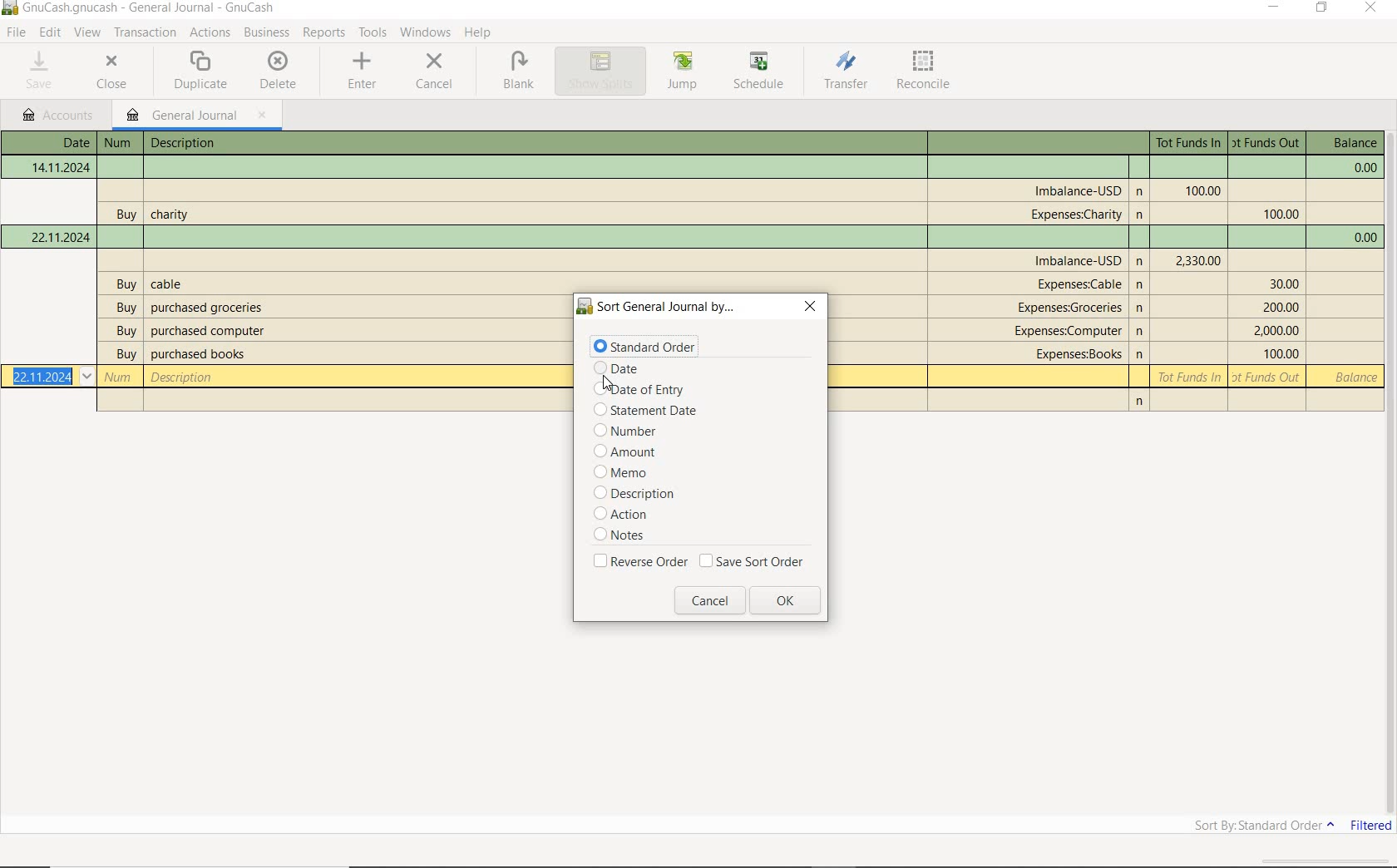 This screenshot has height=868, width=1397. What do you see at coordinates (1141, 190) in the screenshot?
I see `n` at bounding box center [1141, 190].